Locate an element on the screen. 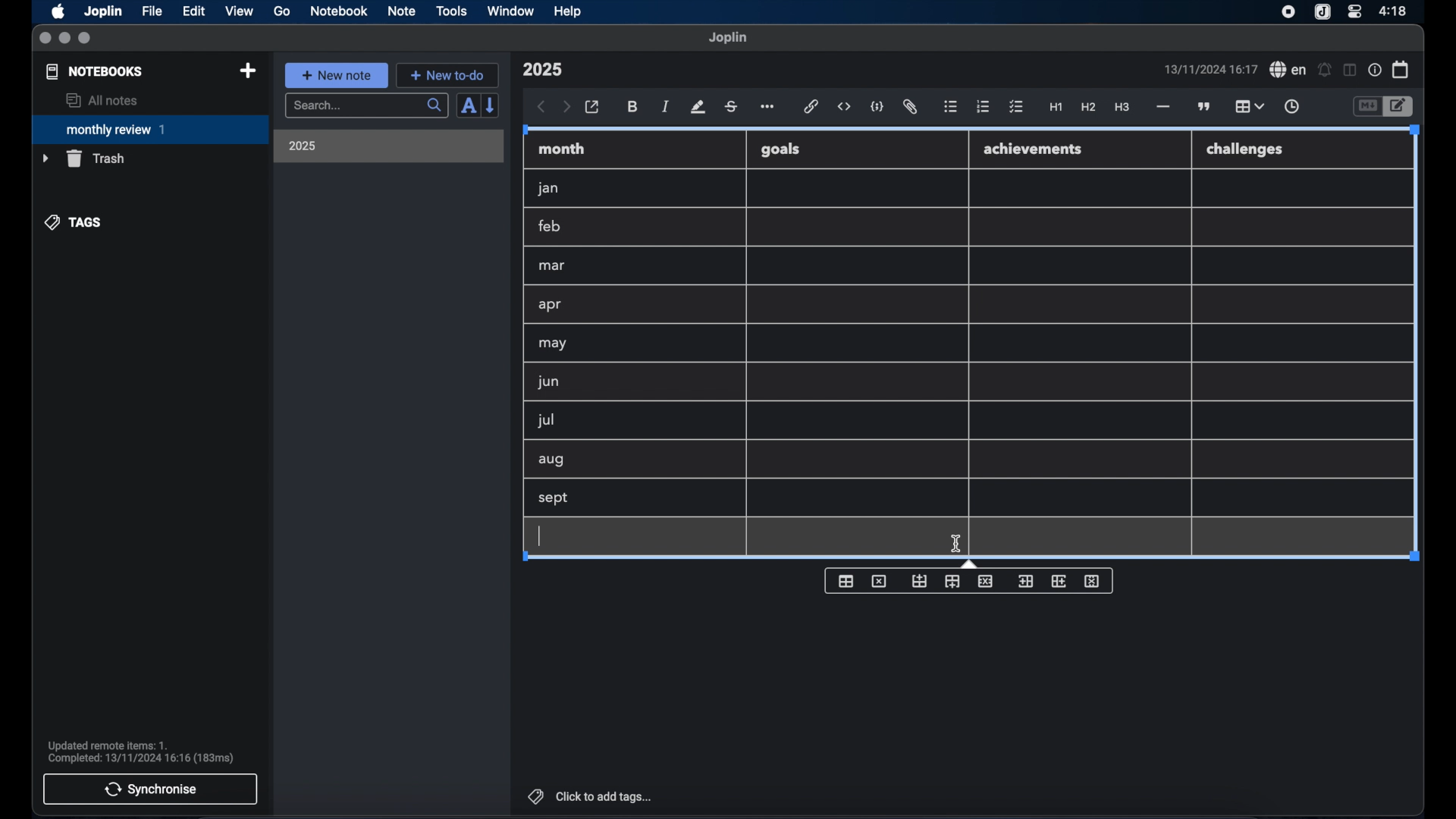  insert column before is located at coordinates (1025, 580).